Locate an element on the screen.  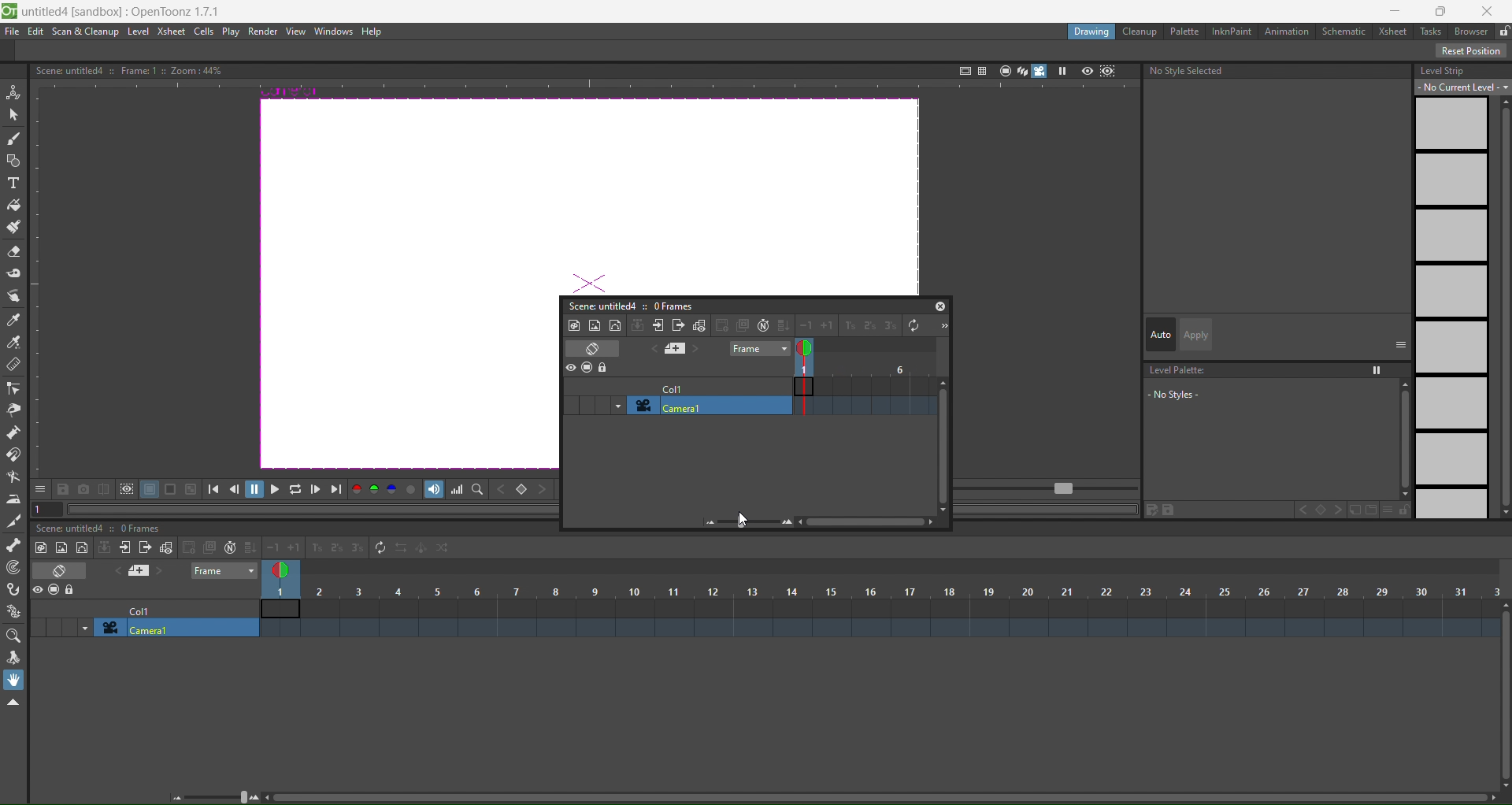
untitledd [sandbox] :OpenToonz 1.7.1 is located at coordinates (124, 11).